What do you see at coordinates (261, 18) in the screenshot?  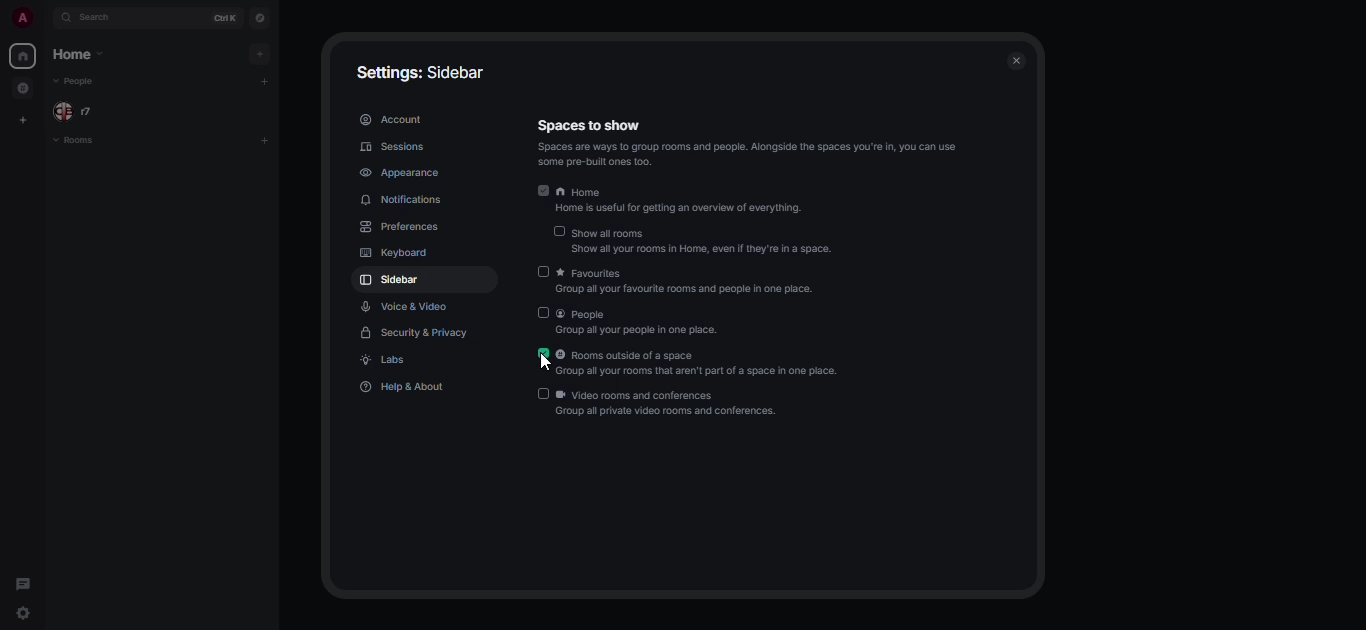 I see `navigator` at bounding box center [261, 18].